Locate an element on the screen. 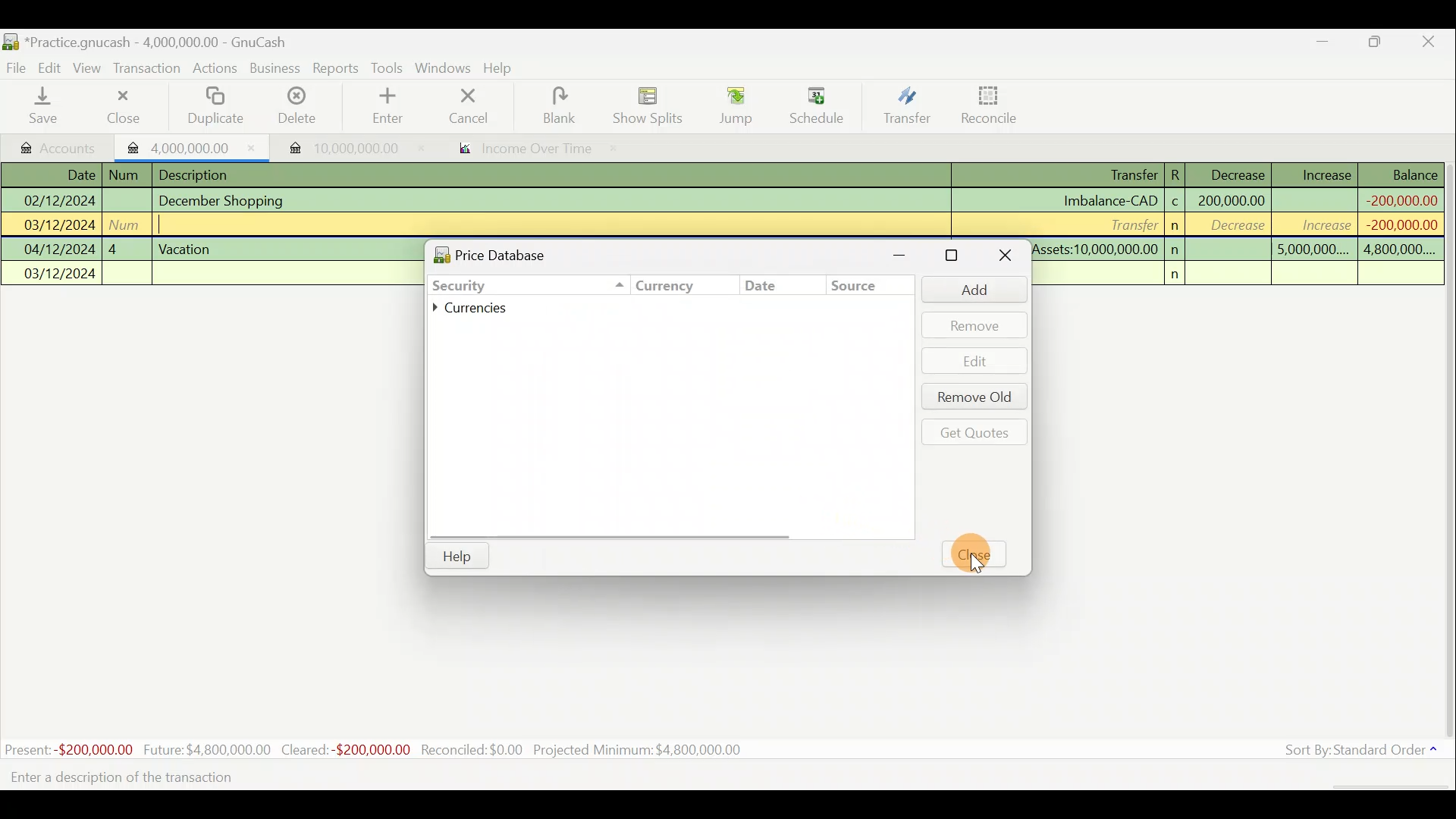  Minimise is located at coordinates (1325, 45).